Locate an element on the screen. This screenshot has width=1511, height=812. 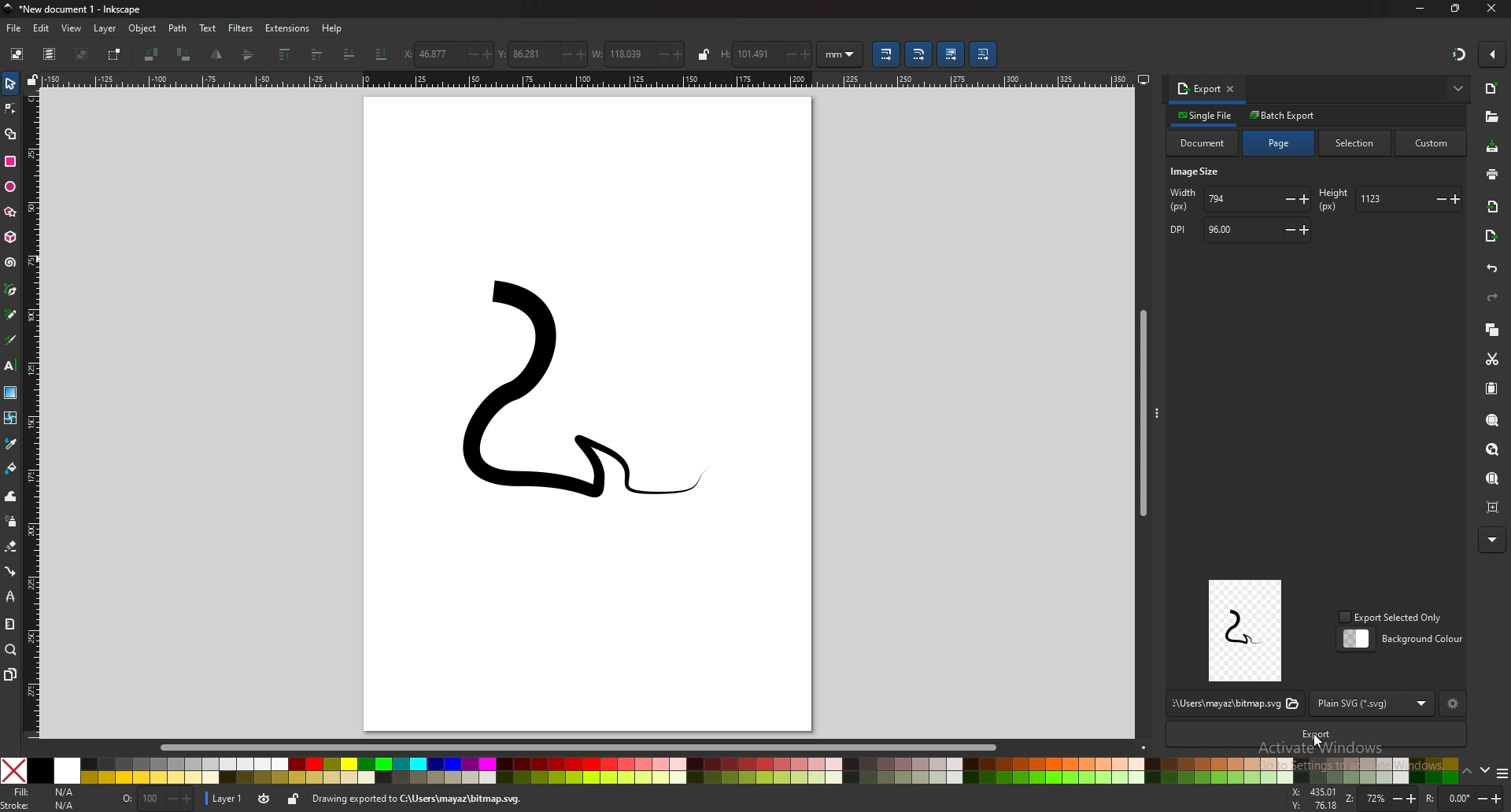
select all in all layers is located at coordinates (49, 54).